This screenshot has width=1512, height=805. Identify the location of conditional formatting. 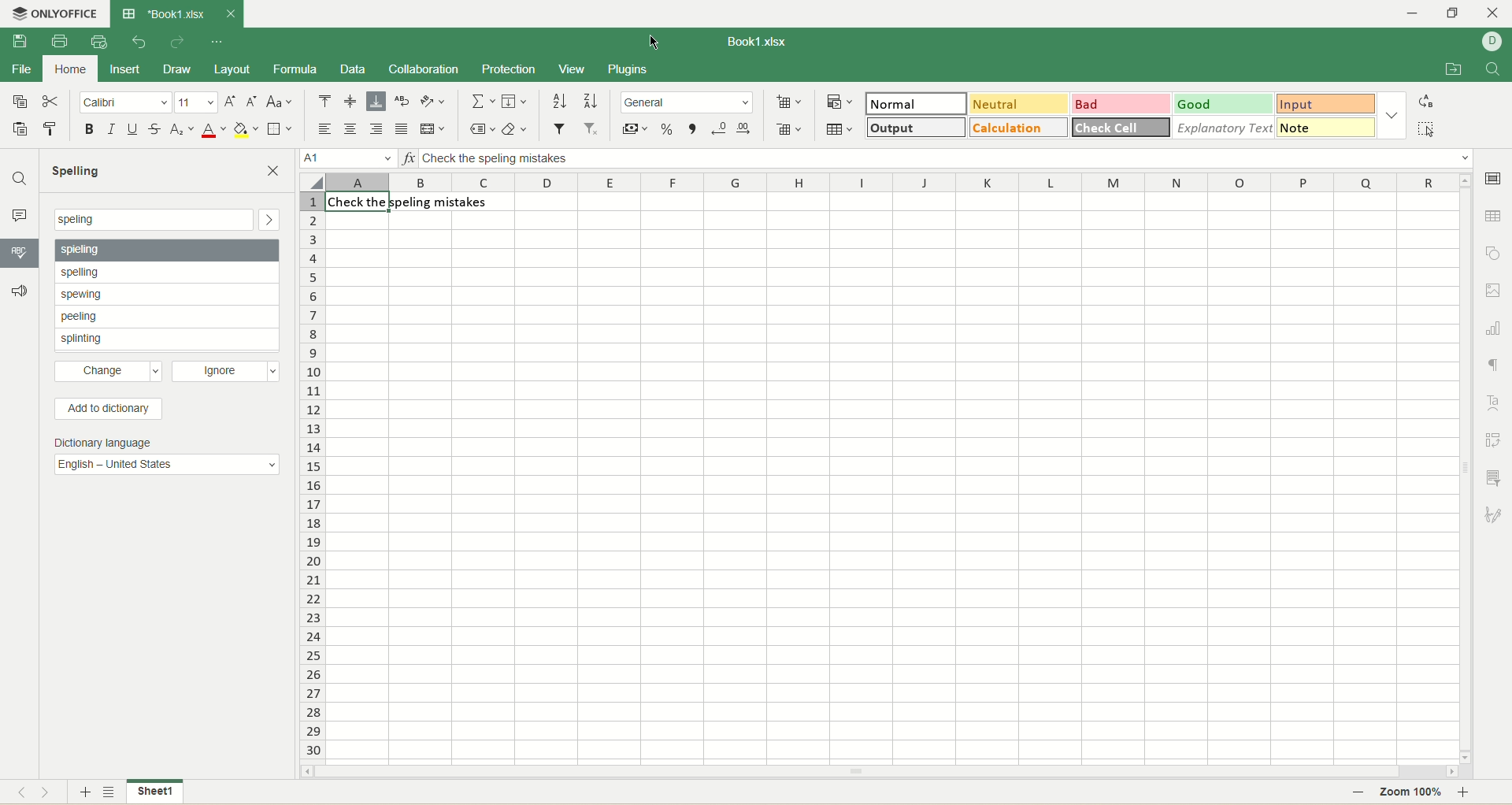
(840, 102).